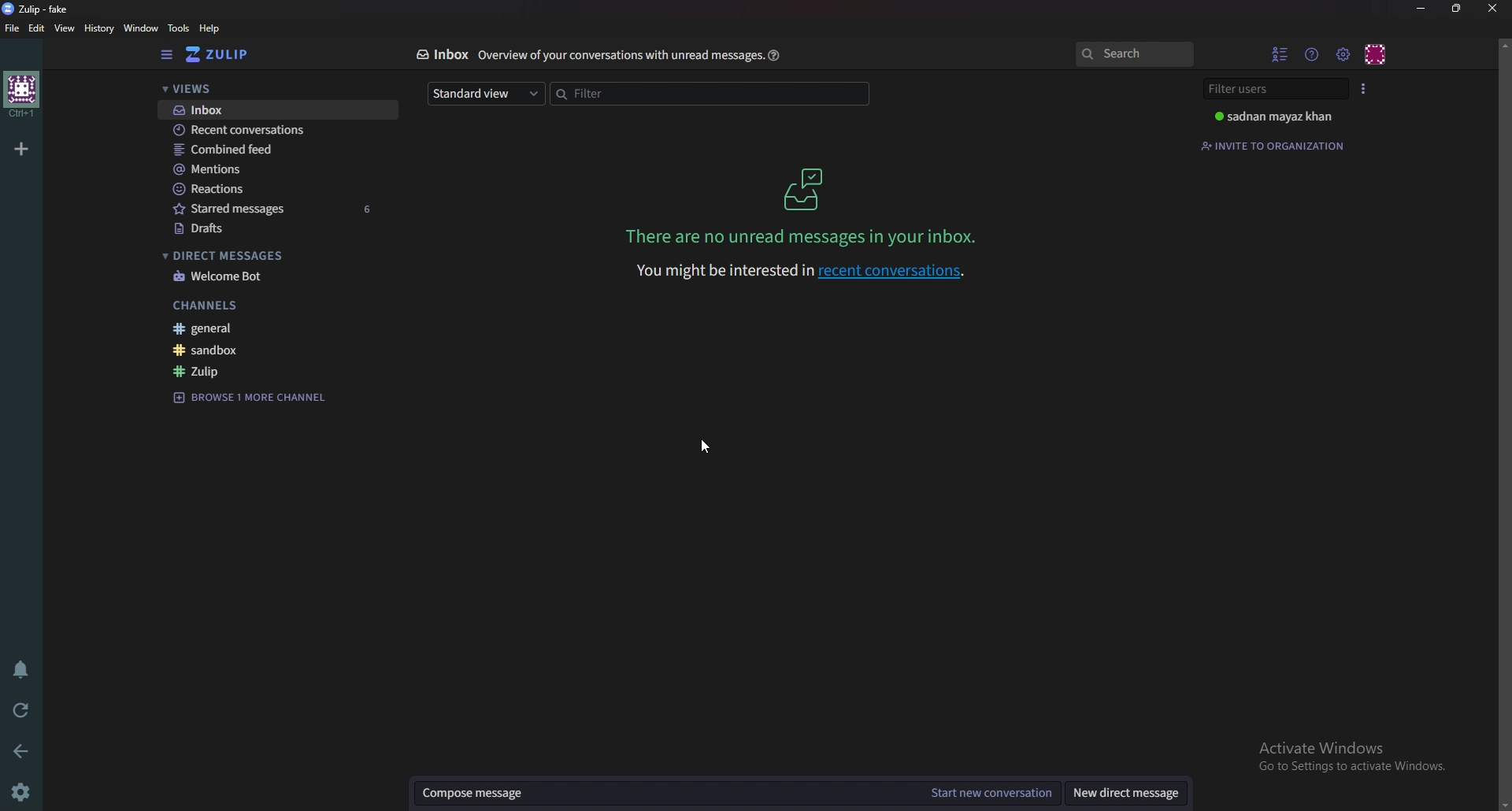  Describe the element at coordinates (36, 27) in the screenshot. I see `edit` at that location.